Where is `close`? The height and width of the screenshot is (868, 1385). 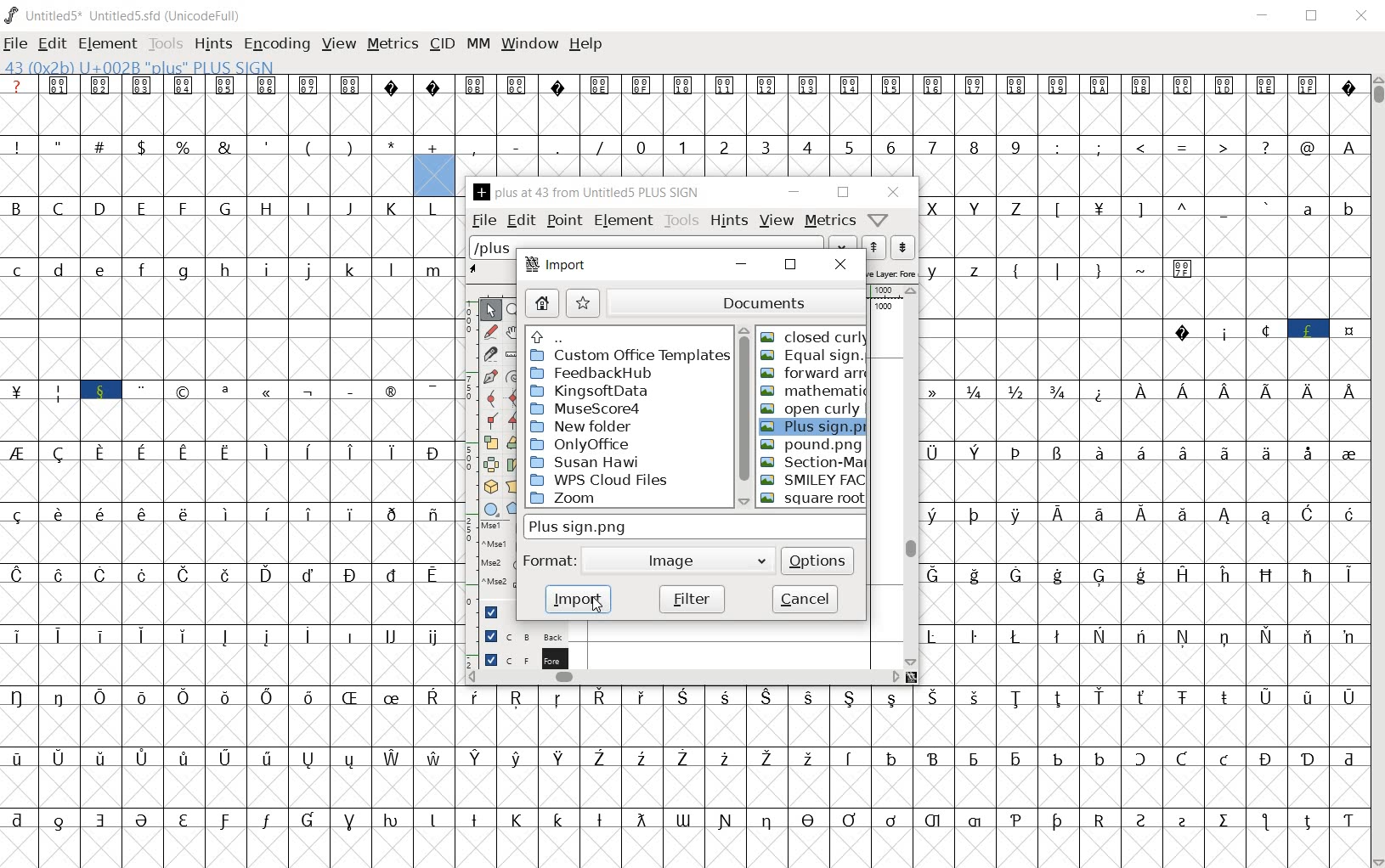 close is located at coordinates (1360, 17).